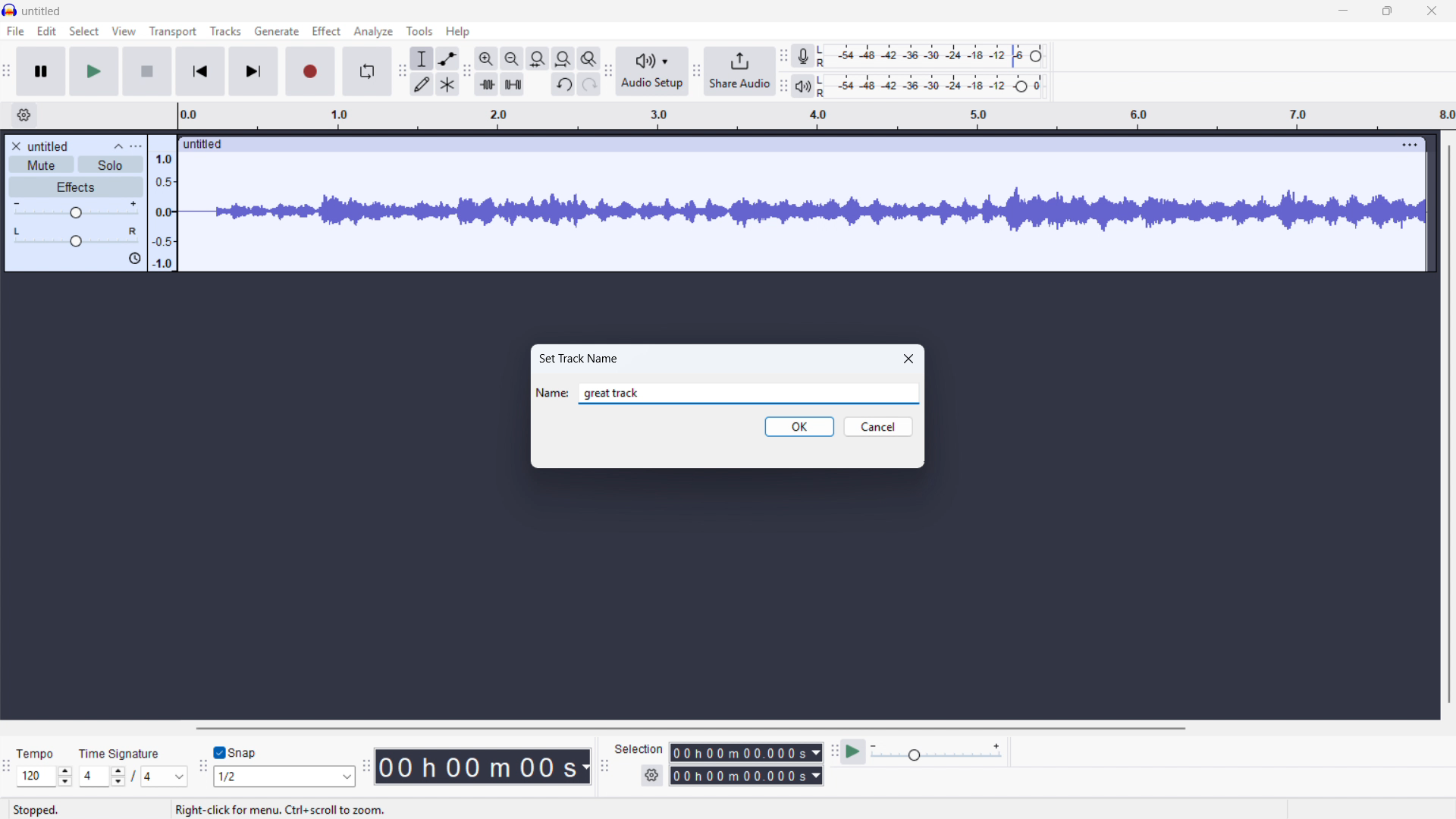 This screenshot has width=1456, height=819. Describe the element at coordinates (85, 32) in the screenshot. I see `select ` at that location.